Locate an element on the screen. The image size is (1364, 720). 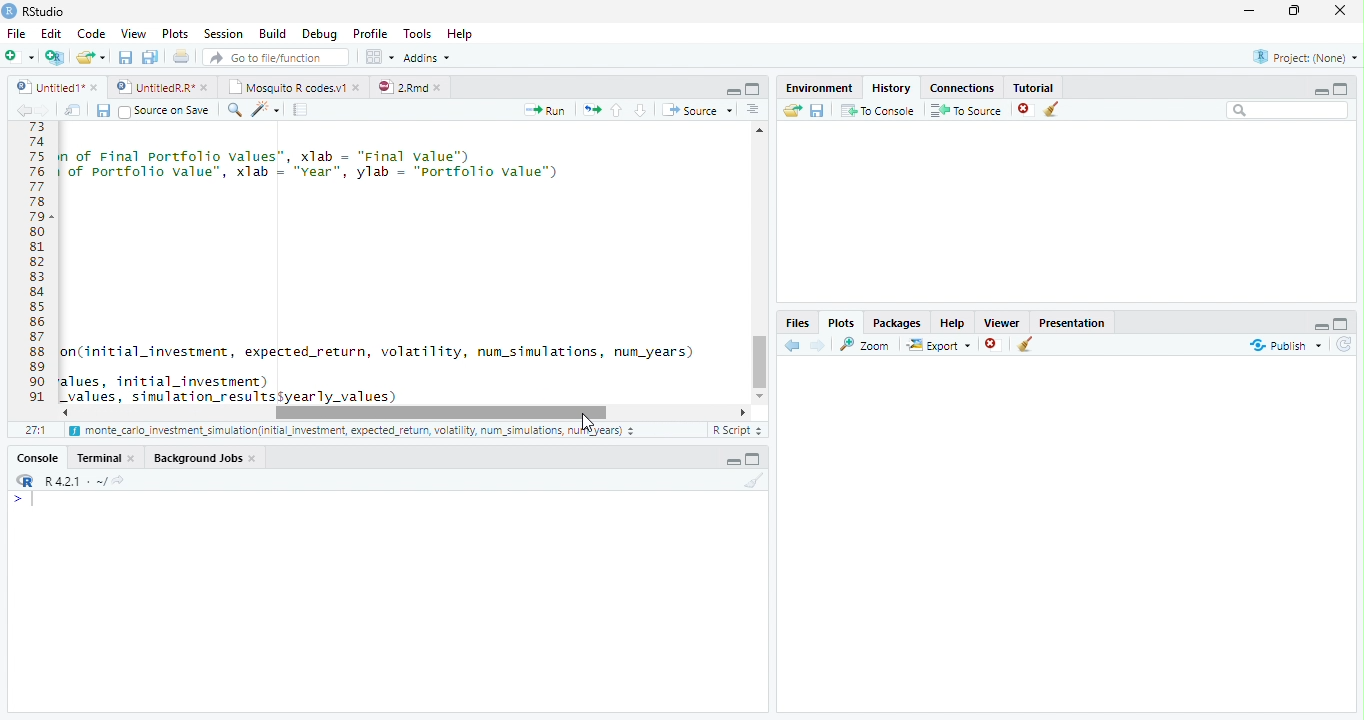
1:1 is located at coordinates (34, 430).